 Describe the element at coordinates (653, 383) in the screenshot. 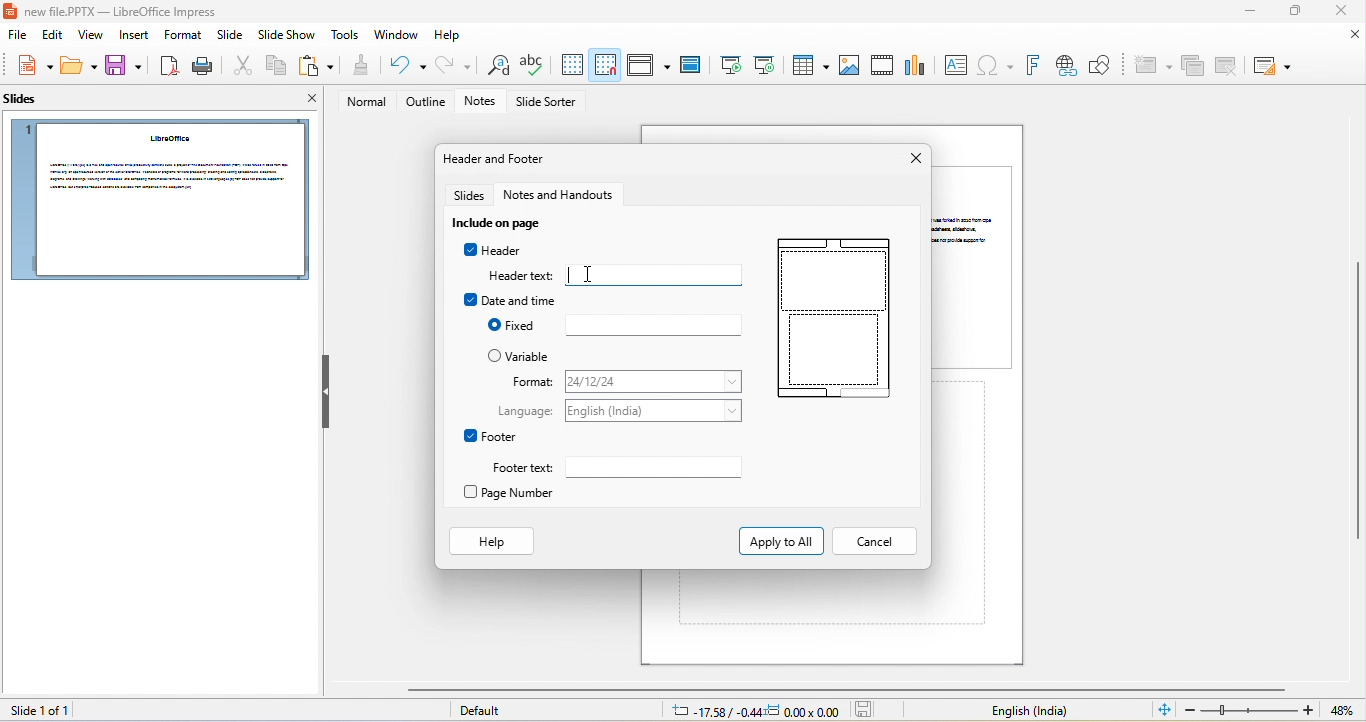

I see `format` at that location.